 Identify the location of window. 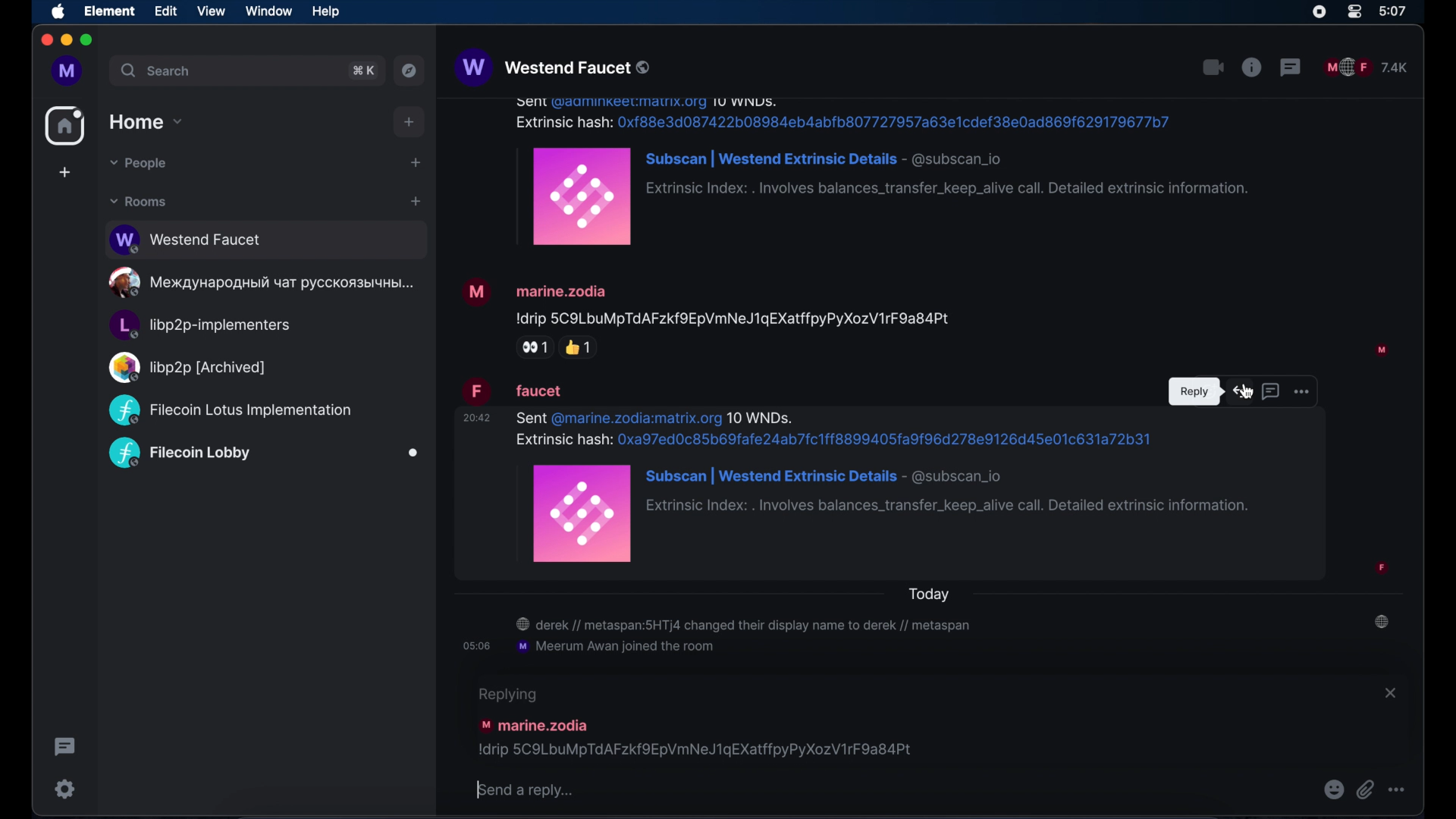
(268, 12).